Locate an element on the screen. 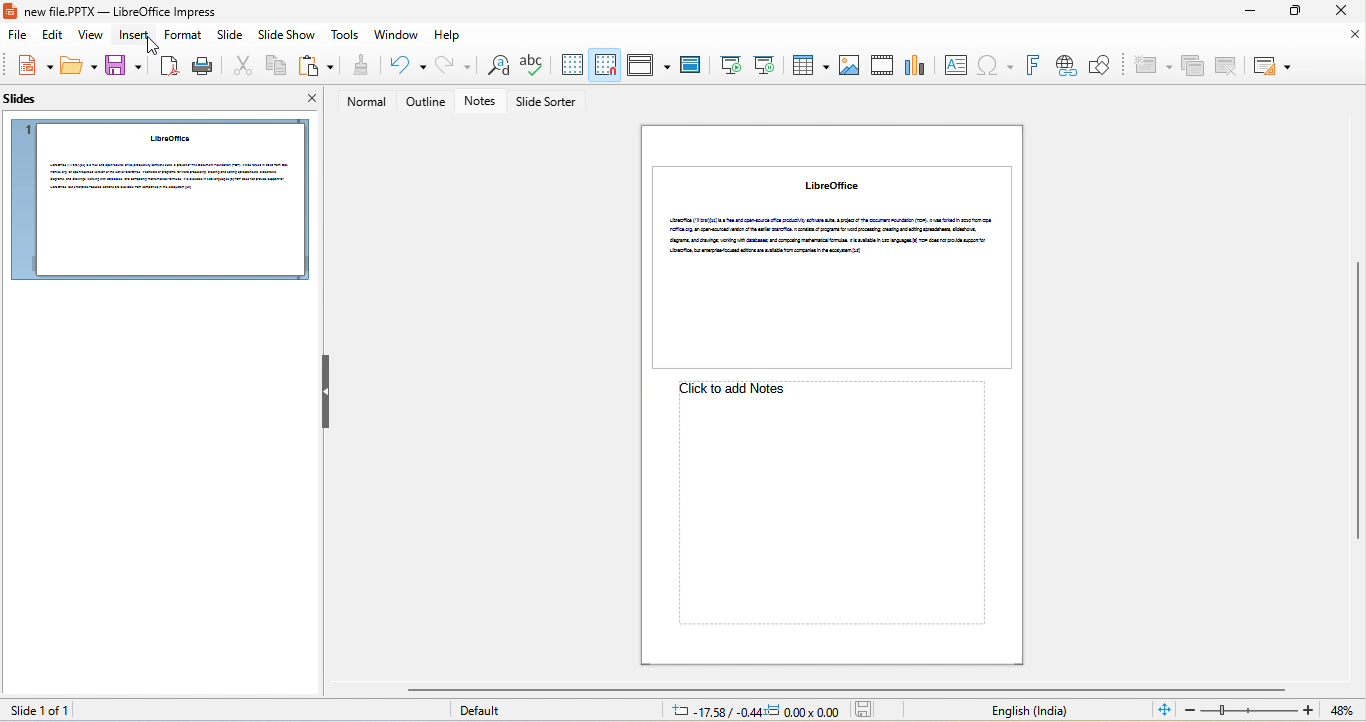 The image size is (1366, 722). insert is located at coordinates (136, 36).